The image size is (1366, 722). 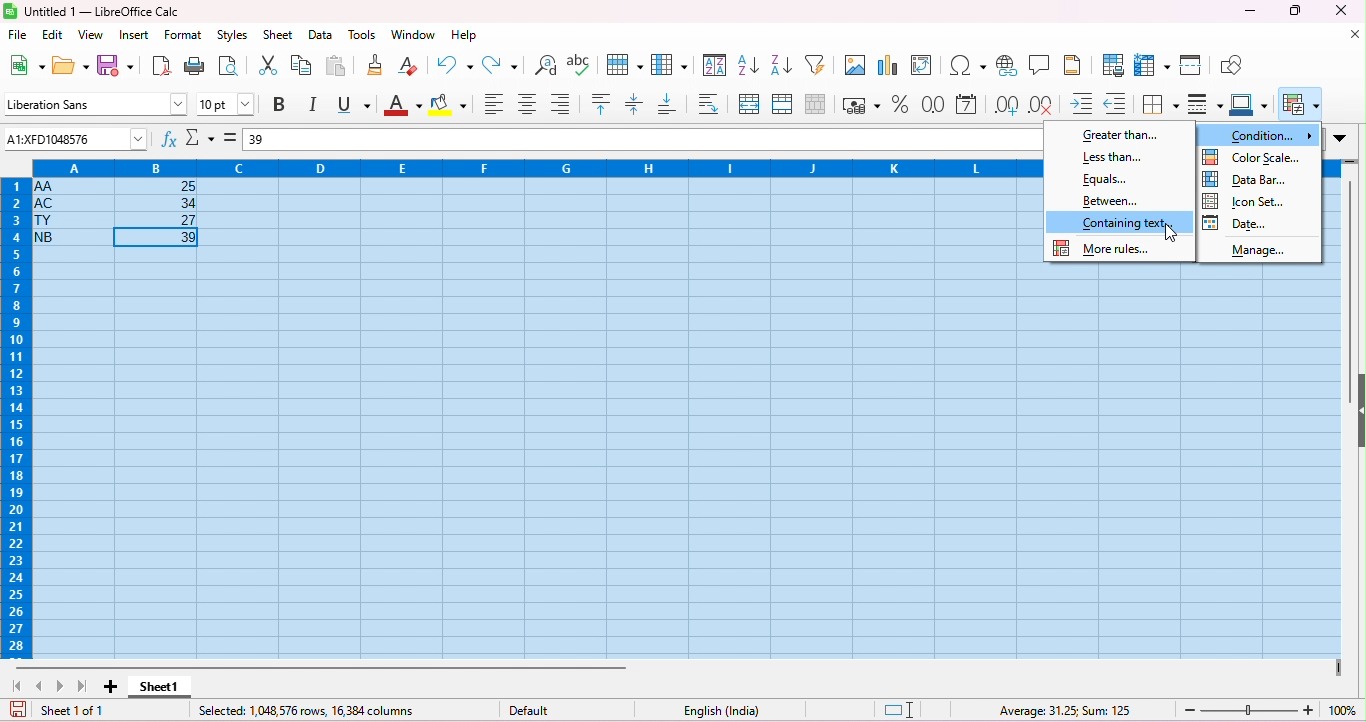 I want to click on undo, so click(x=456, y=64).